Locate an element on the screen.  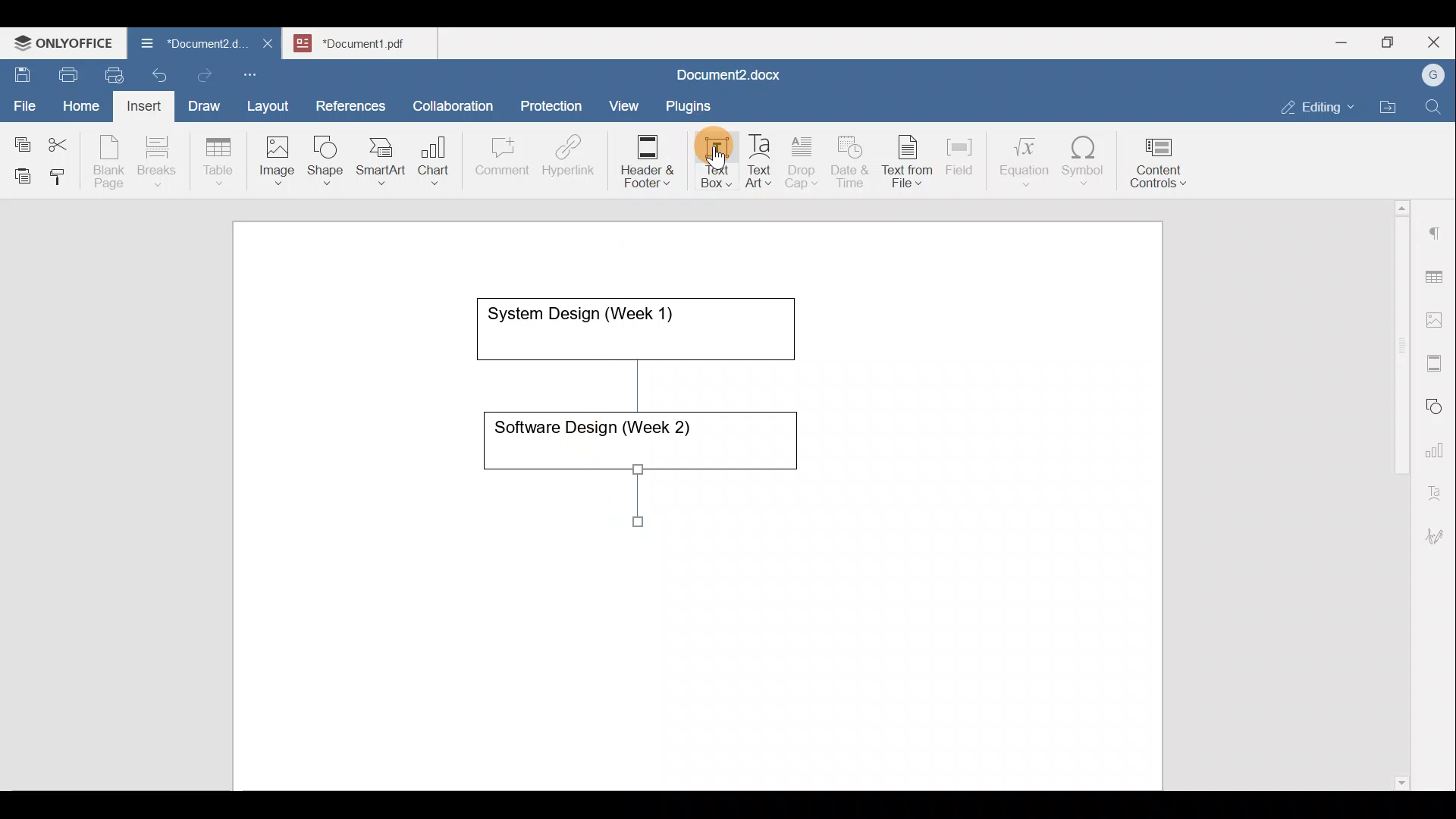
Text Art settings is located at coordinates (1436, 487).